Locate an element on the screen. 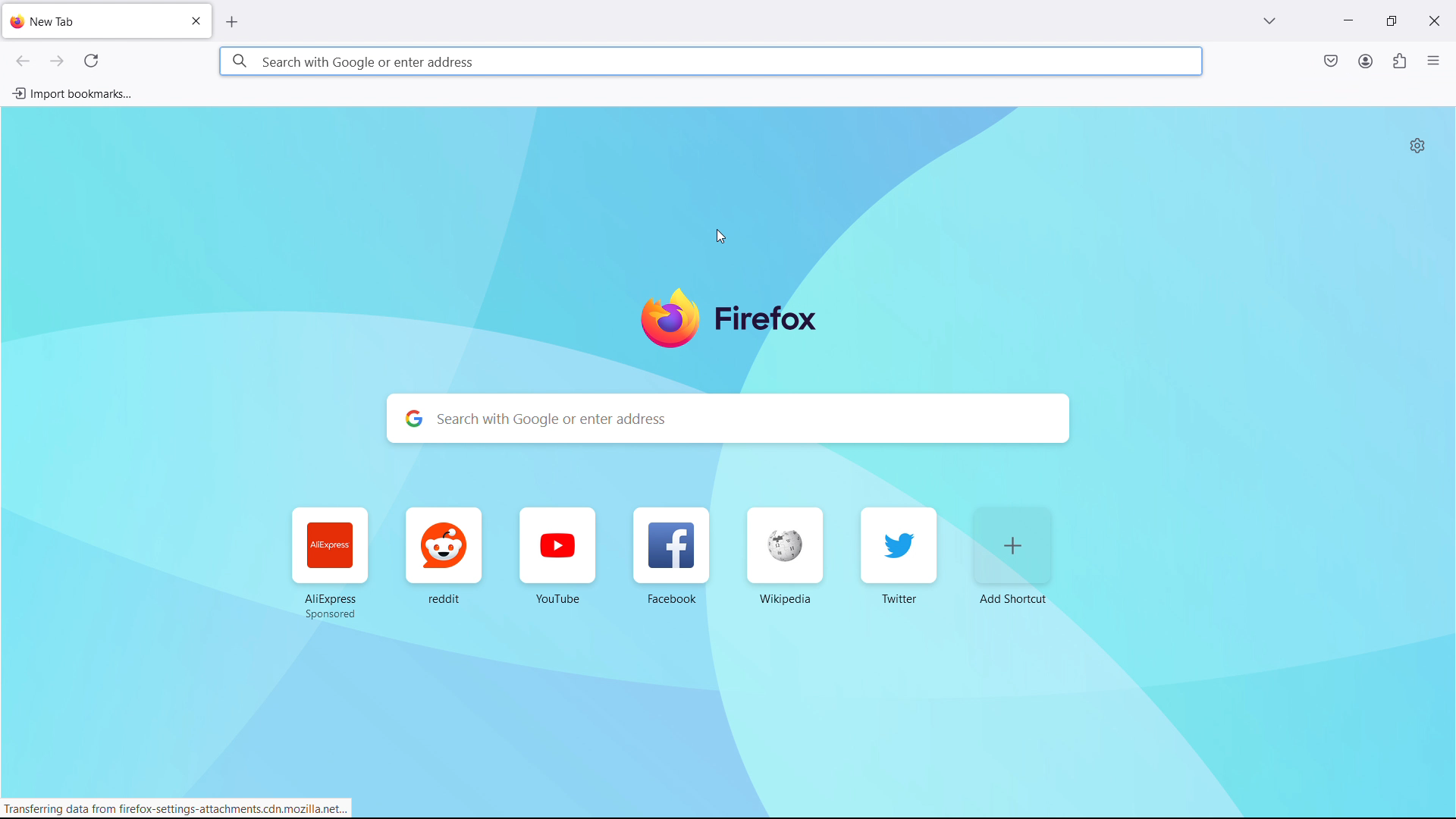  account is located at coordinates (1365, 60).